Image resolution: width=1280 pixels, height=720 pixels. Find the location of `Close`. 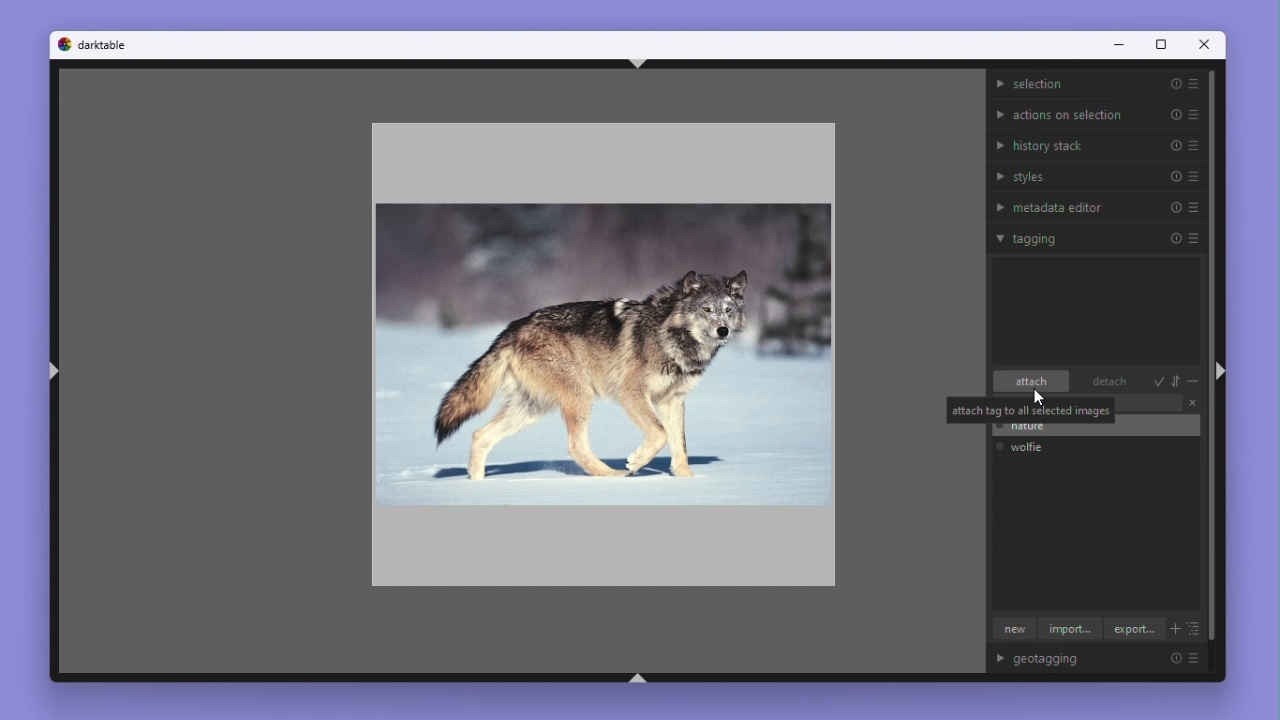

Close is located at coordinates (1192, 405).